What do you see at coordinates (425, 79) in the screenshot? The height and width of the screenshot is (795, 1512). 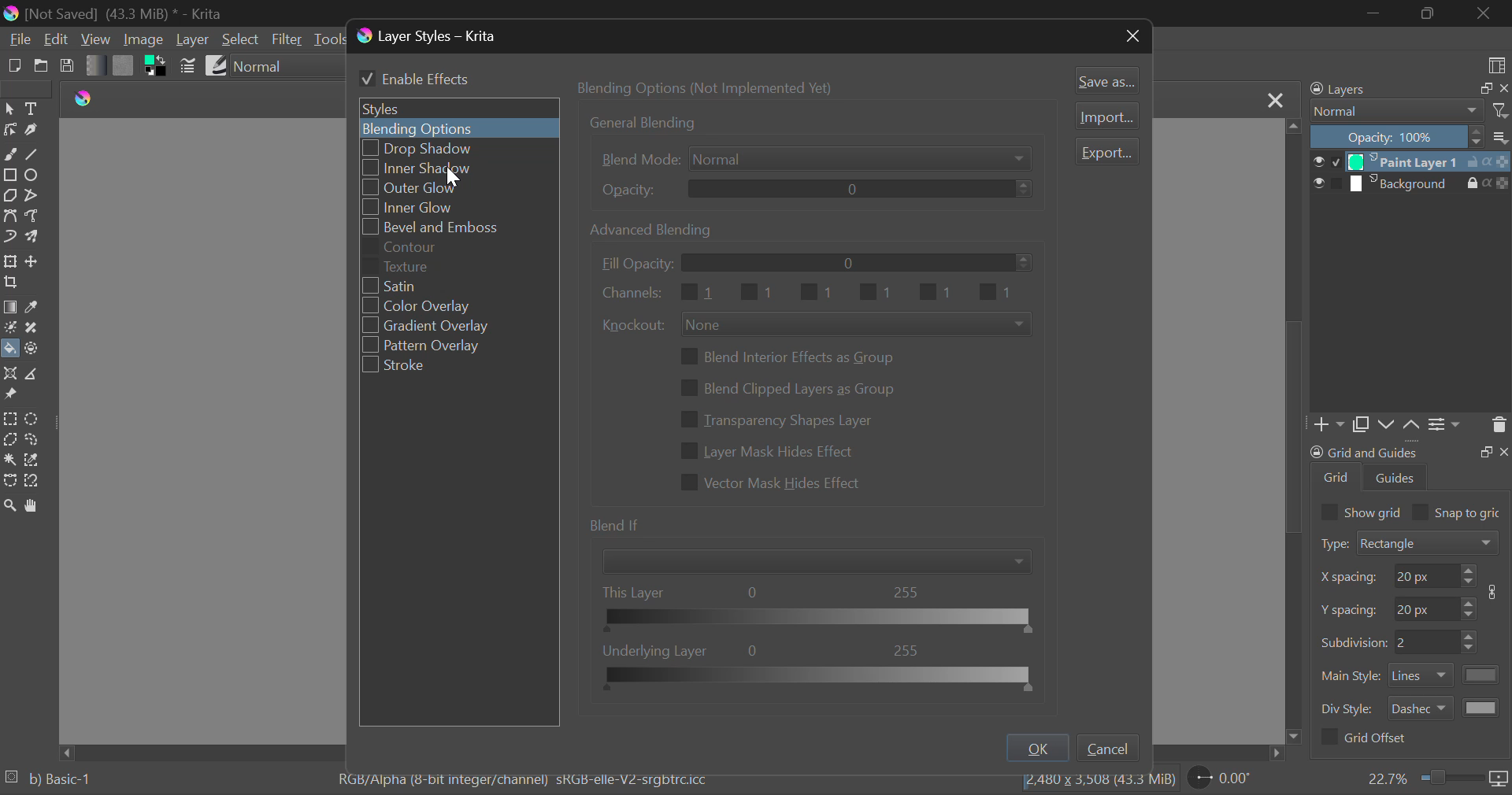 I see `Enable Effects` at bounding box center [425, 79].